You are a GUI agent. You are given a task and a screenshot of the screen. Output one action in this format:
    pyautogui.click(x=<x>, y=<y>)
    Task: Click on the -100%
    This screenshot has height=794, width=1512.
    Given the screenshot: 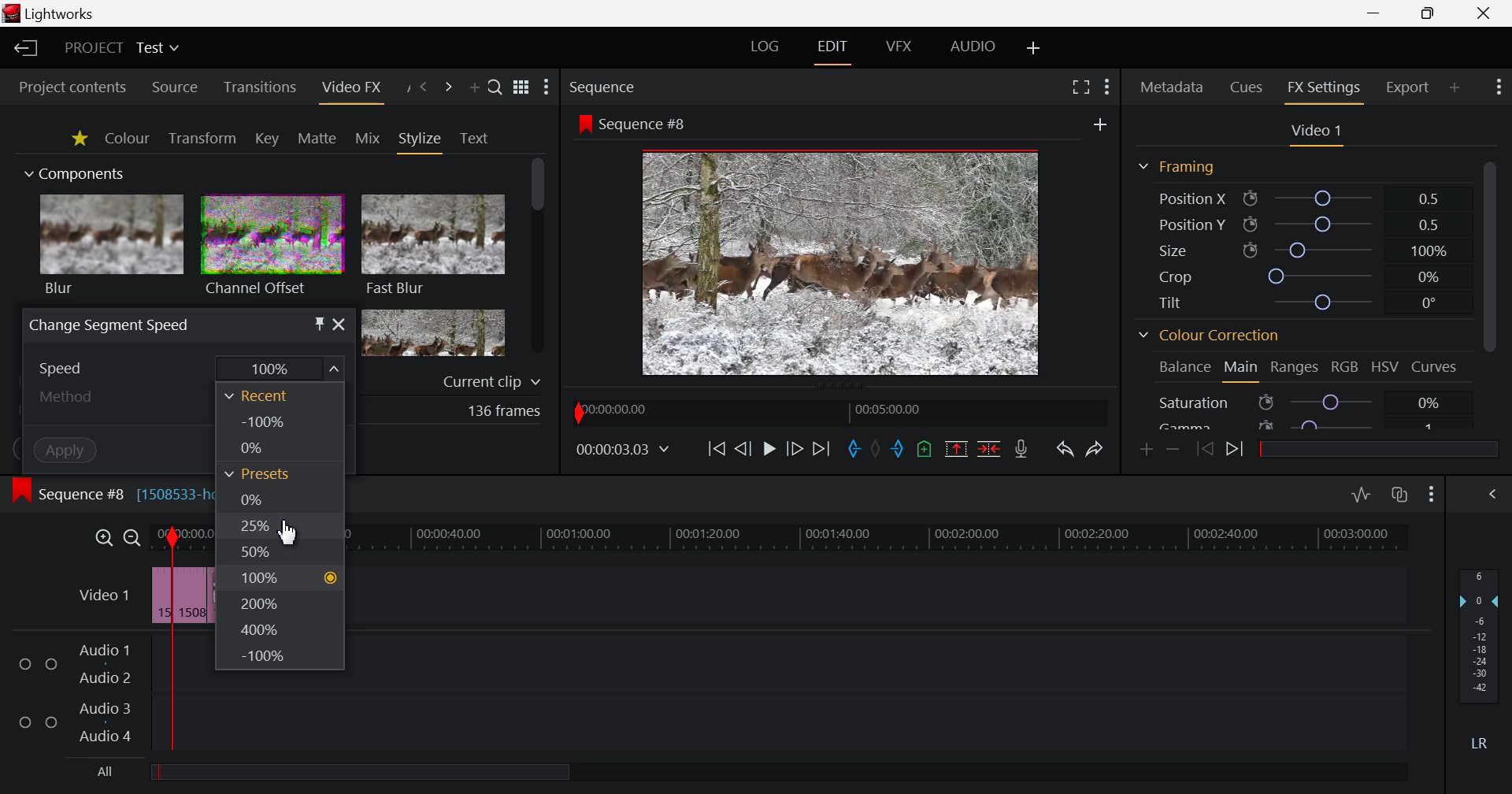 What is the action you would take?
    pyautogui.click(x=280, y=657)
    